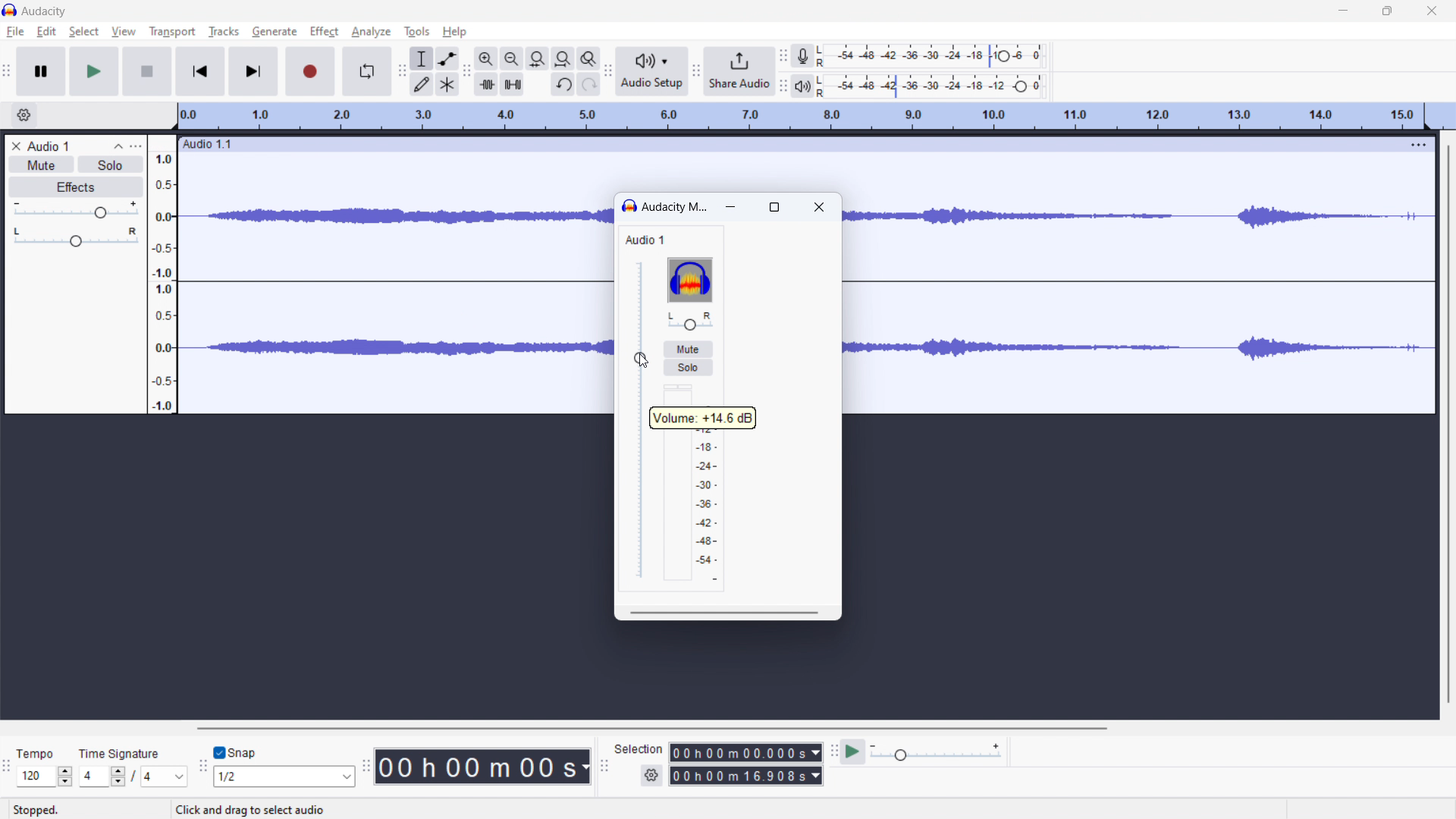  I want to click on tine signature toolbar, so click(7, 766).